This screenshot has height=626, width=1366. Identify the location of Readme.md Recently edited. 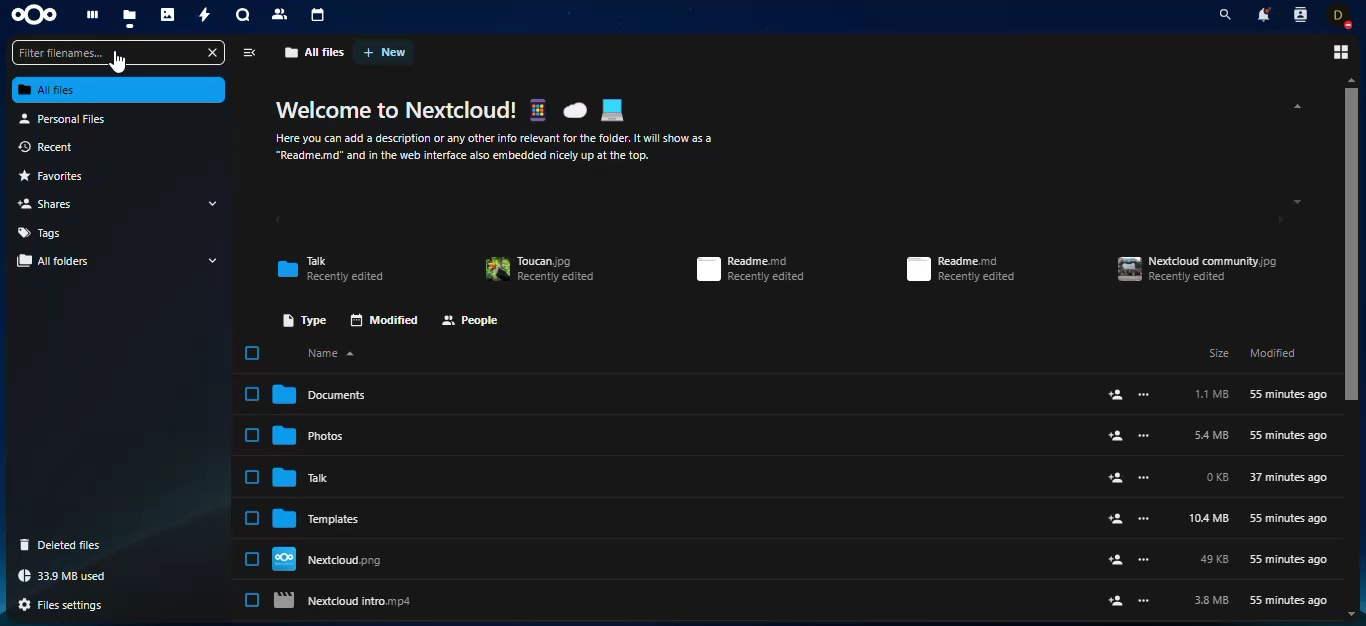
(750, 269).